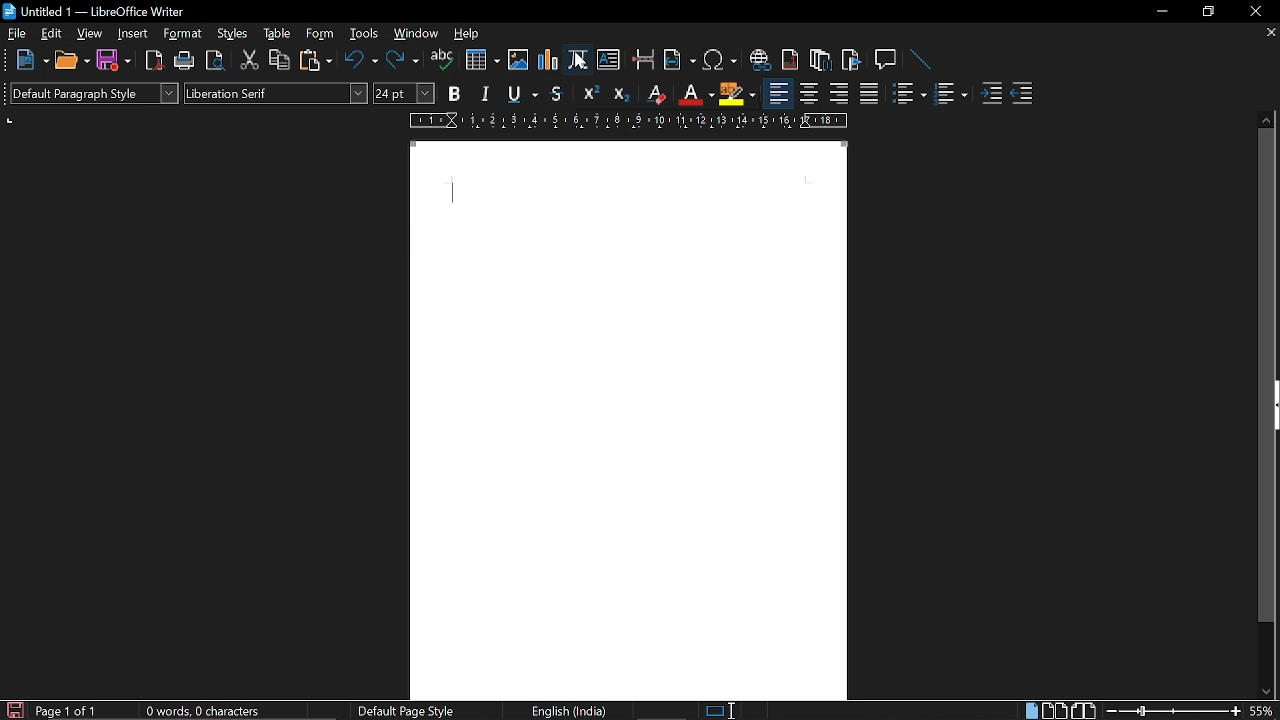 The image size is (1280, 720). What do you see at coordinates (1271, 691) in the screenshot?
I see `move down` at bounding box center [1271, 691].